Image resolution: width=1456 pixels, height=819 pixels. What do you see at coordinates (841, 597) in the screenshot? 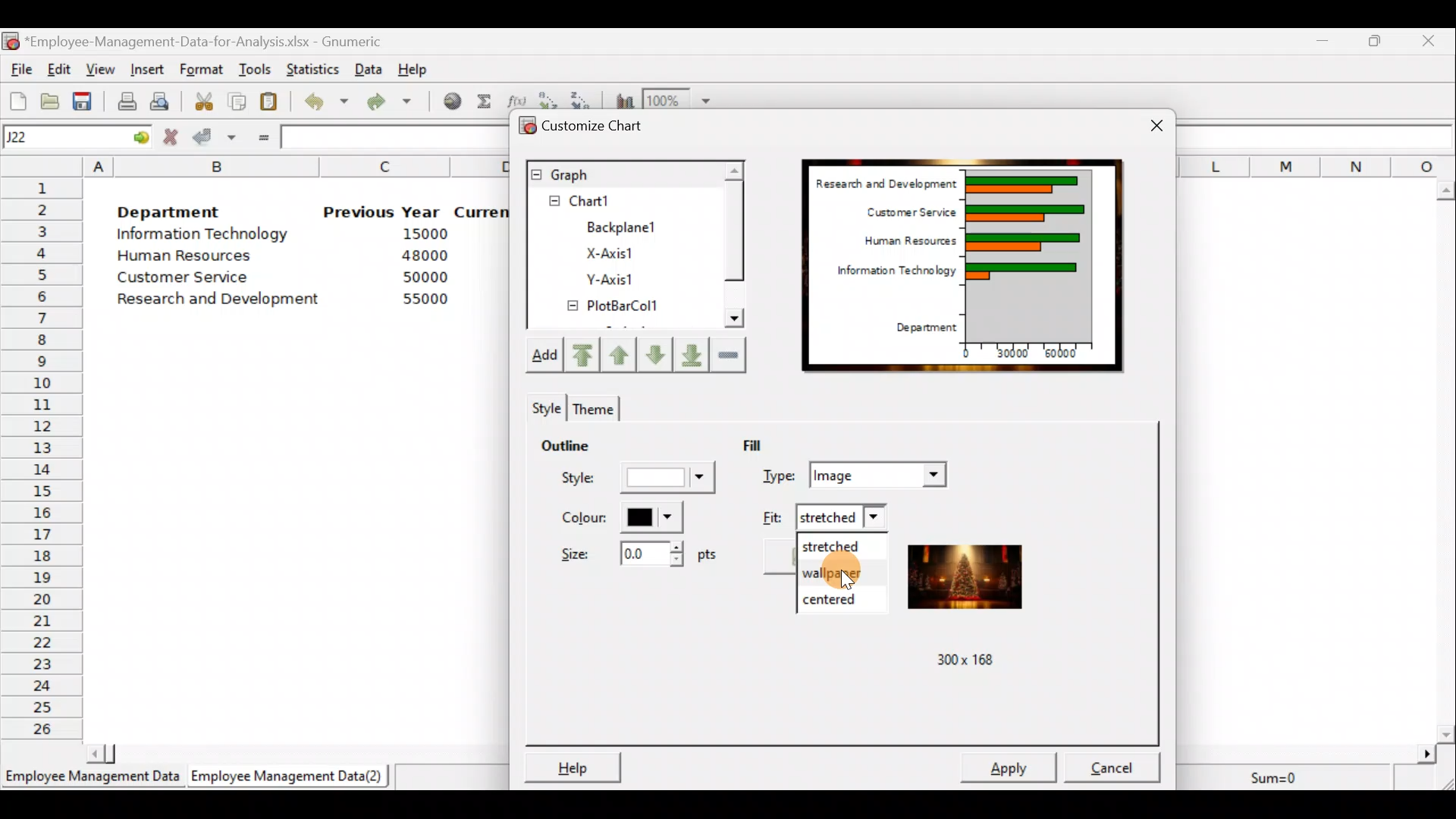
I see `Centered` at bounding box center [841, 597].